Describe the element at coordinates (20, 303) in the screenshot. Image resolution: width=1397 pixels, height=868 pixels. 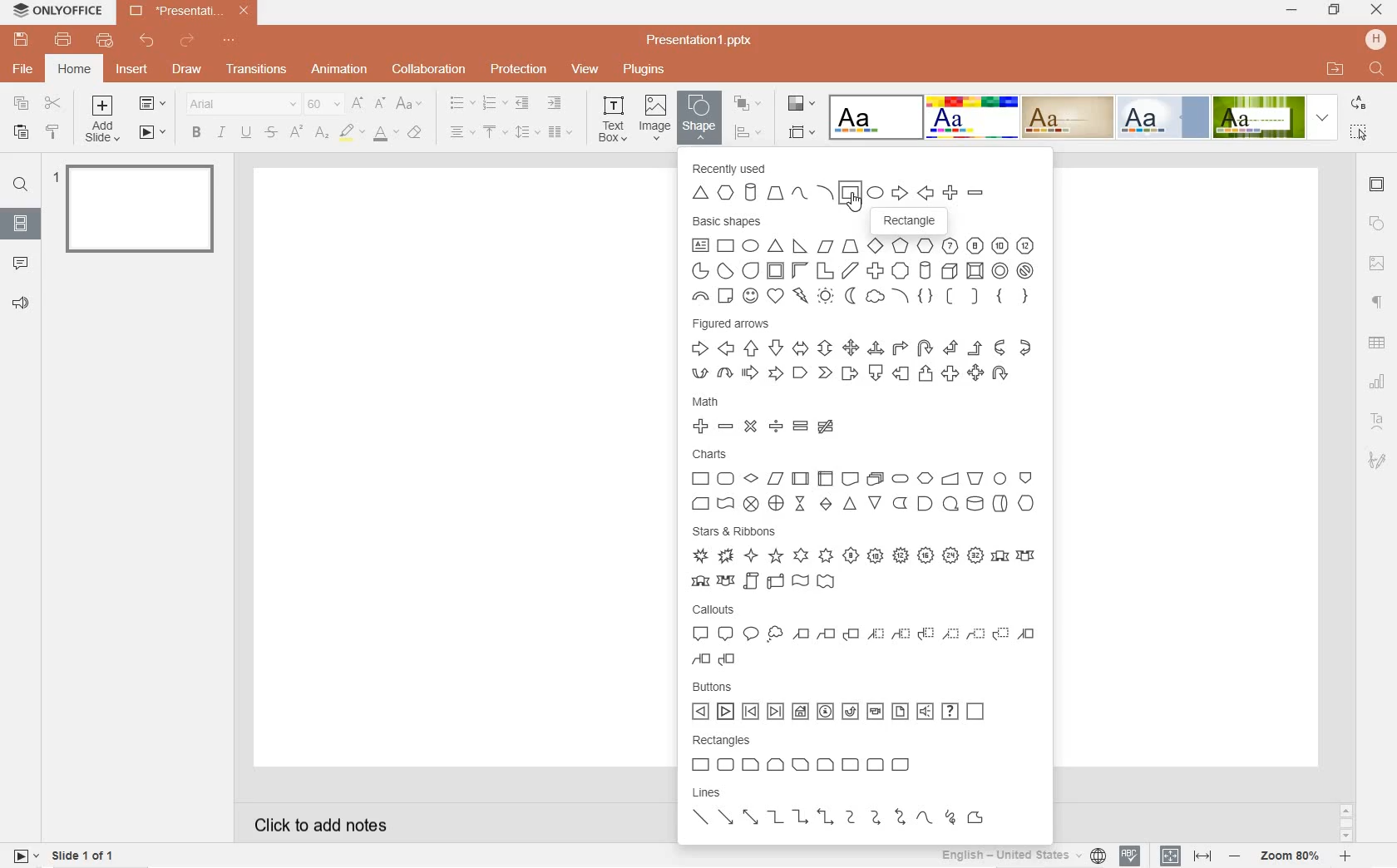
I see `feedback & support` at that location.